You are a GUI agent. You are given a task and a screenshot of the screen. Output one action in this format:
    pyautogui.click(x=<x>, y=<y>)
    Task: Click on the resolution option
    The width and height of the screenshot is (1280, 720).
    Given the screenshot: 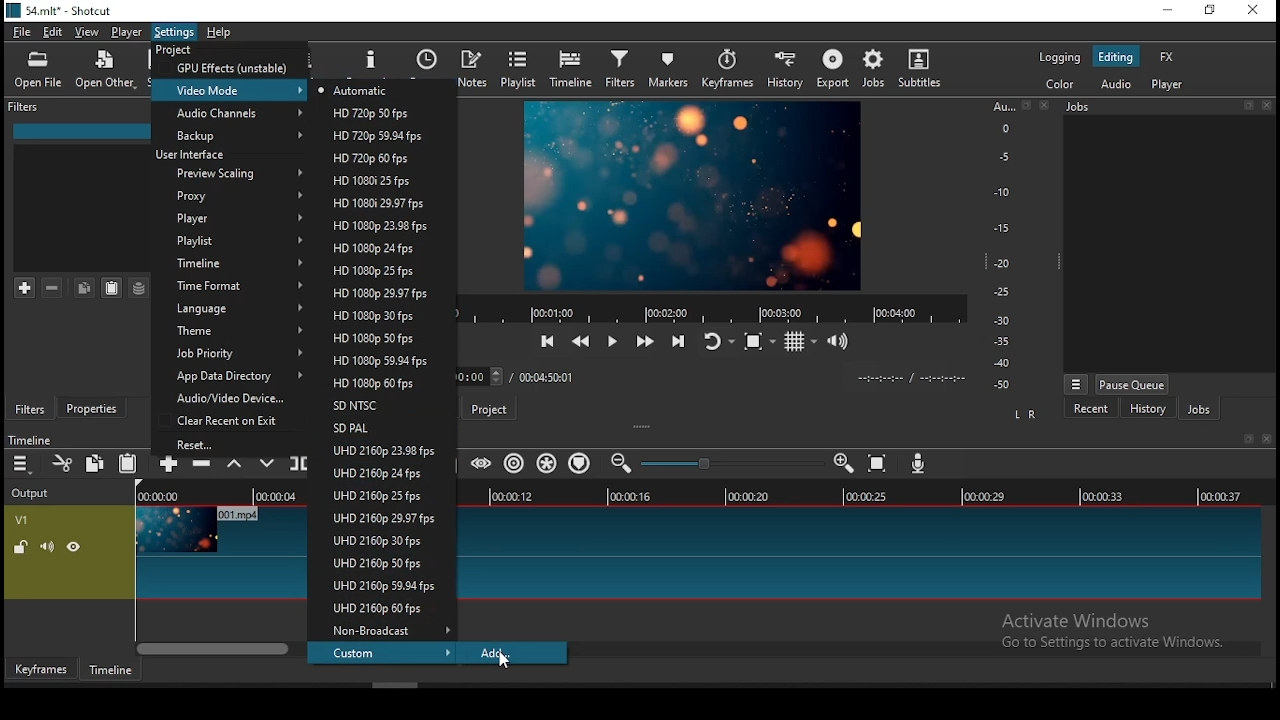 What is the action you would take?
    pyautogui.click(x=379, y=293)
    